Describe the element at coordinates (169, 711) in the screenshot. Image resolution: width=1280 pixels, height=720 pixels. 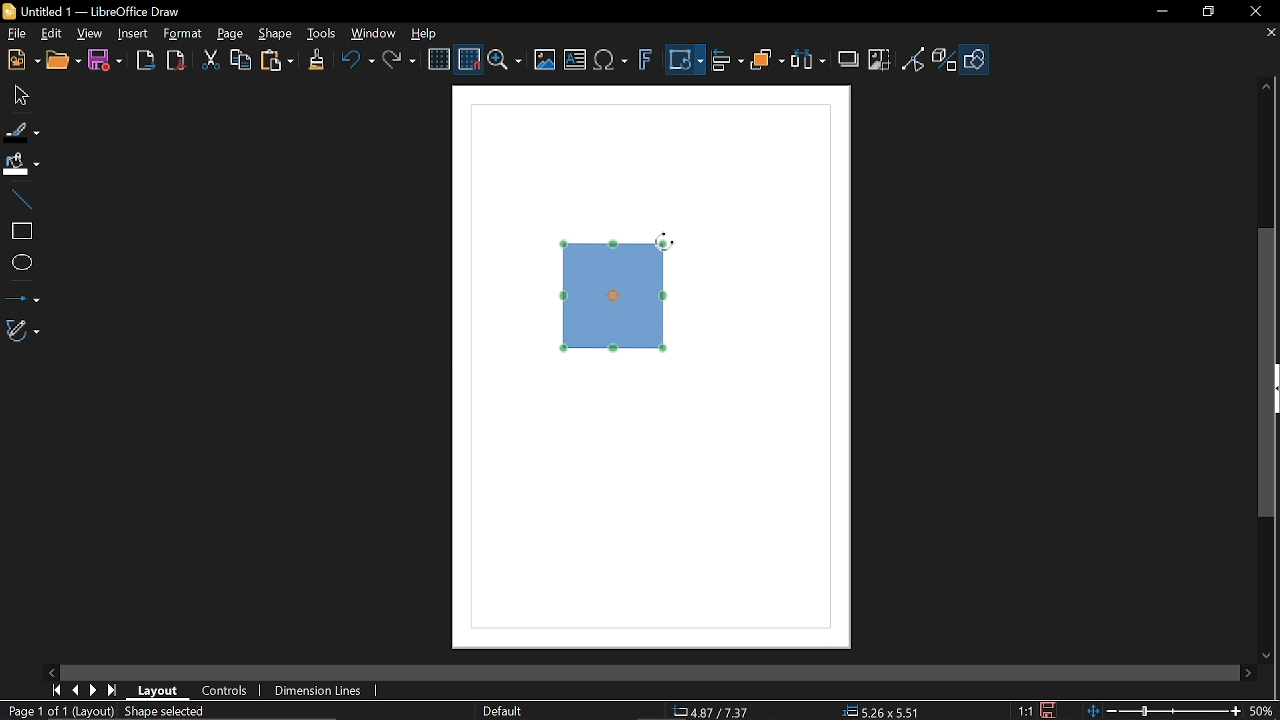
I see `Shaped selected` at that location.